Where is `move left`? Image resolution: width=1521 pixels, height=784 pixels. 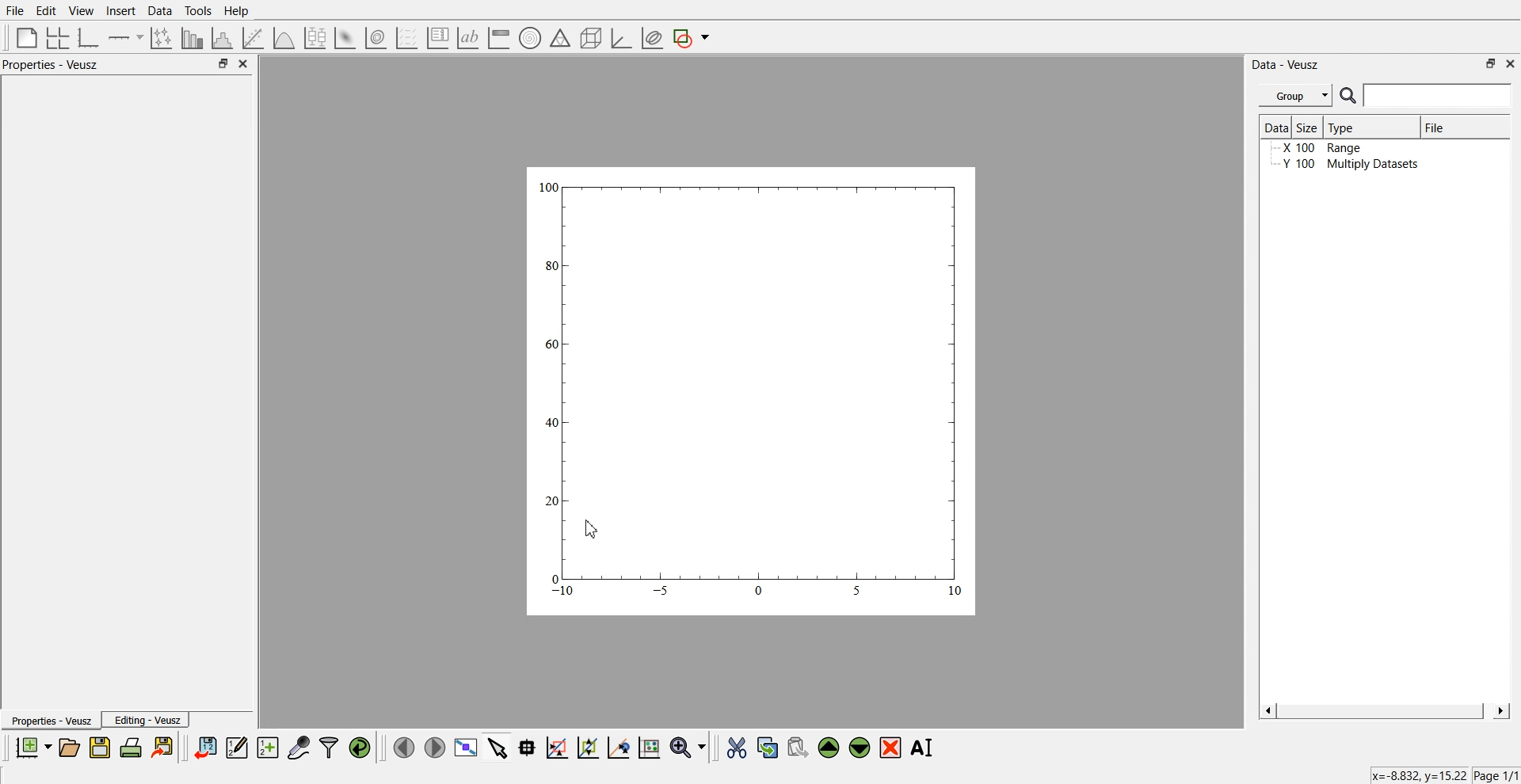
move left is located at coordinates (404, 747).